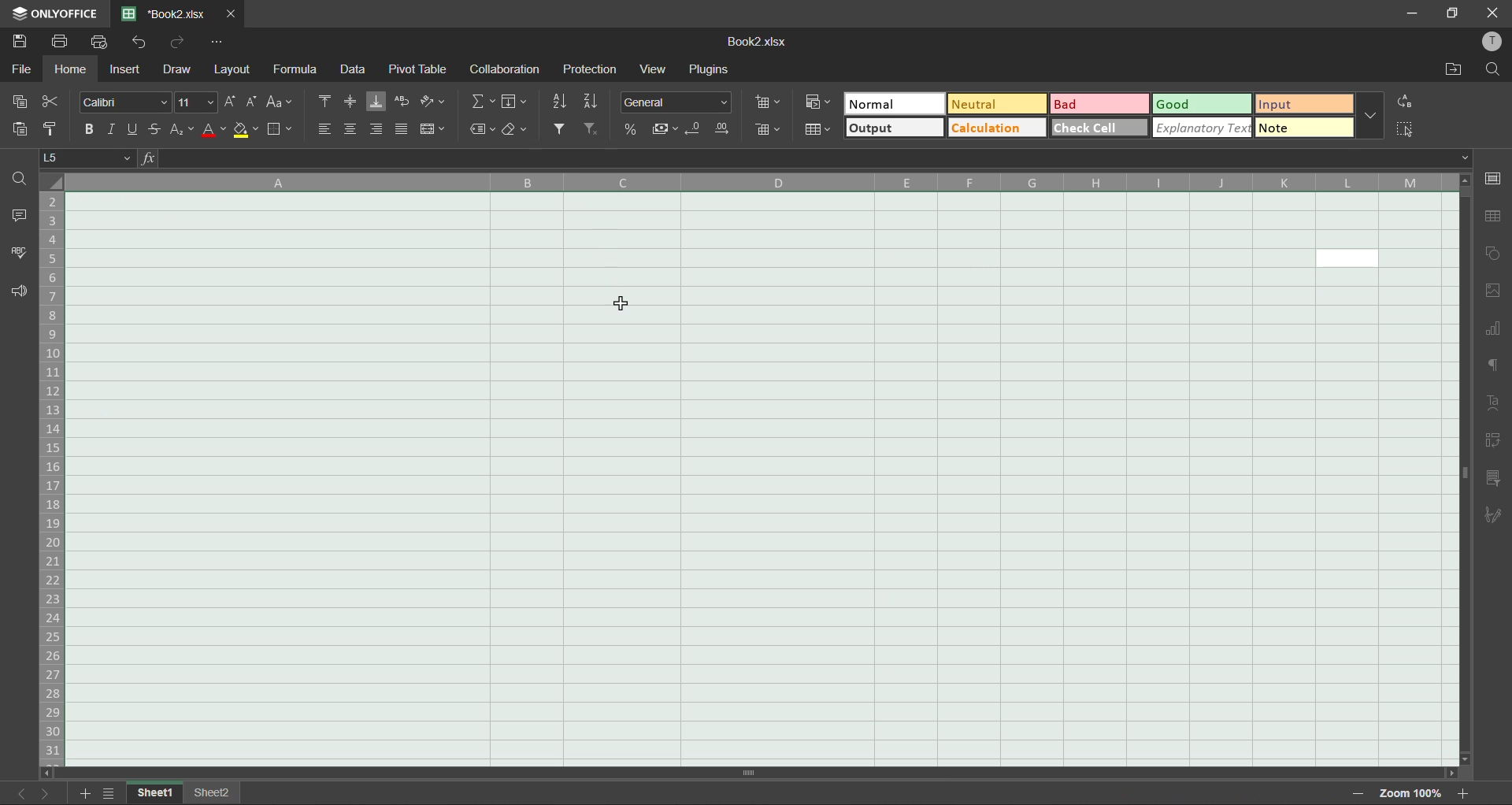 The image size is (1512, 805). What do you see at coordinates (1493, 480) in the screenshot?
I see `slicer` at bounding box center [1493, 480].